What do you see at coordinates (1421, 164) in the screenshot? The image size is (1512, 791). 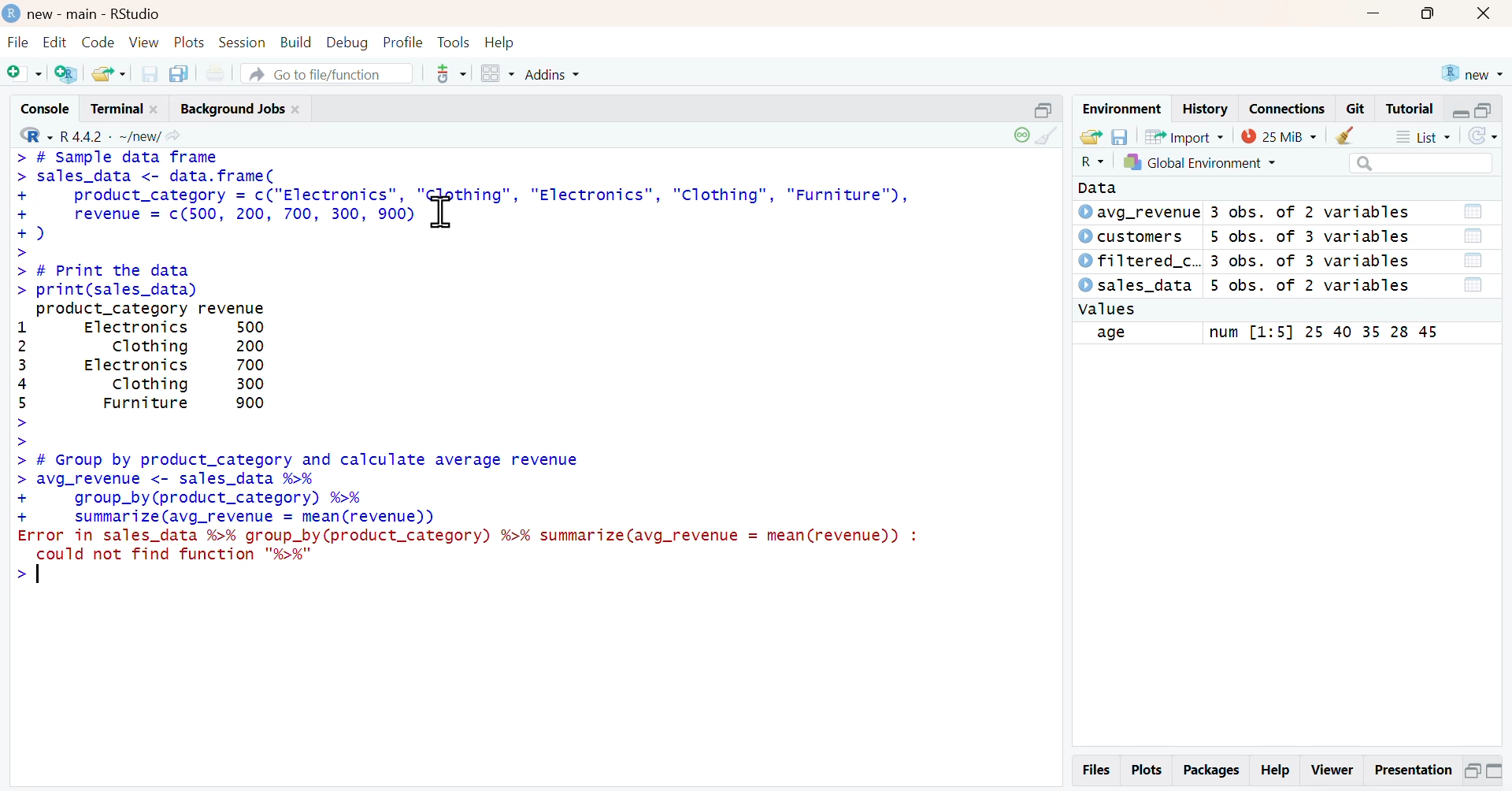 I see `search` at bounding box center [1421, 164].